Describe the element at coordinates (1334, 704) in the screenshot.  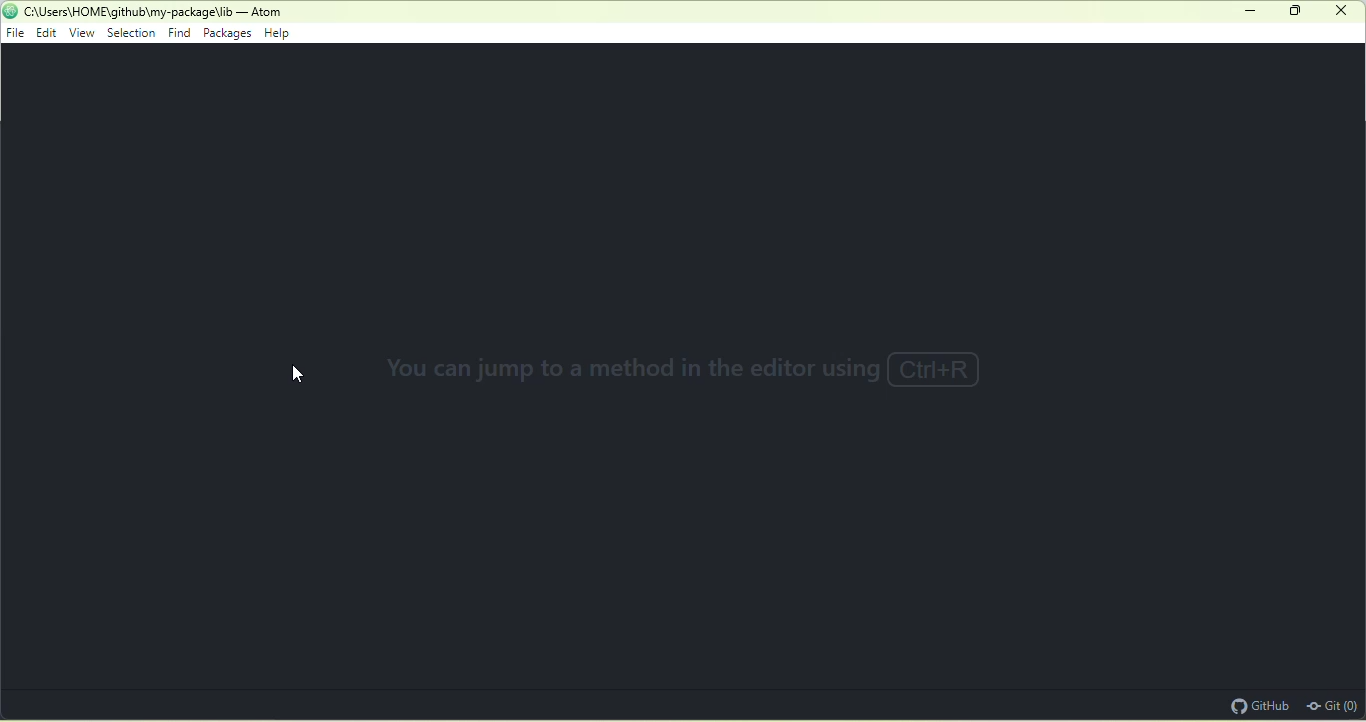
I see `git` at that location.